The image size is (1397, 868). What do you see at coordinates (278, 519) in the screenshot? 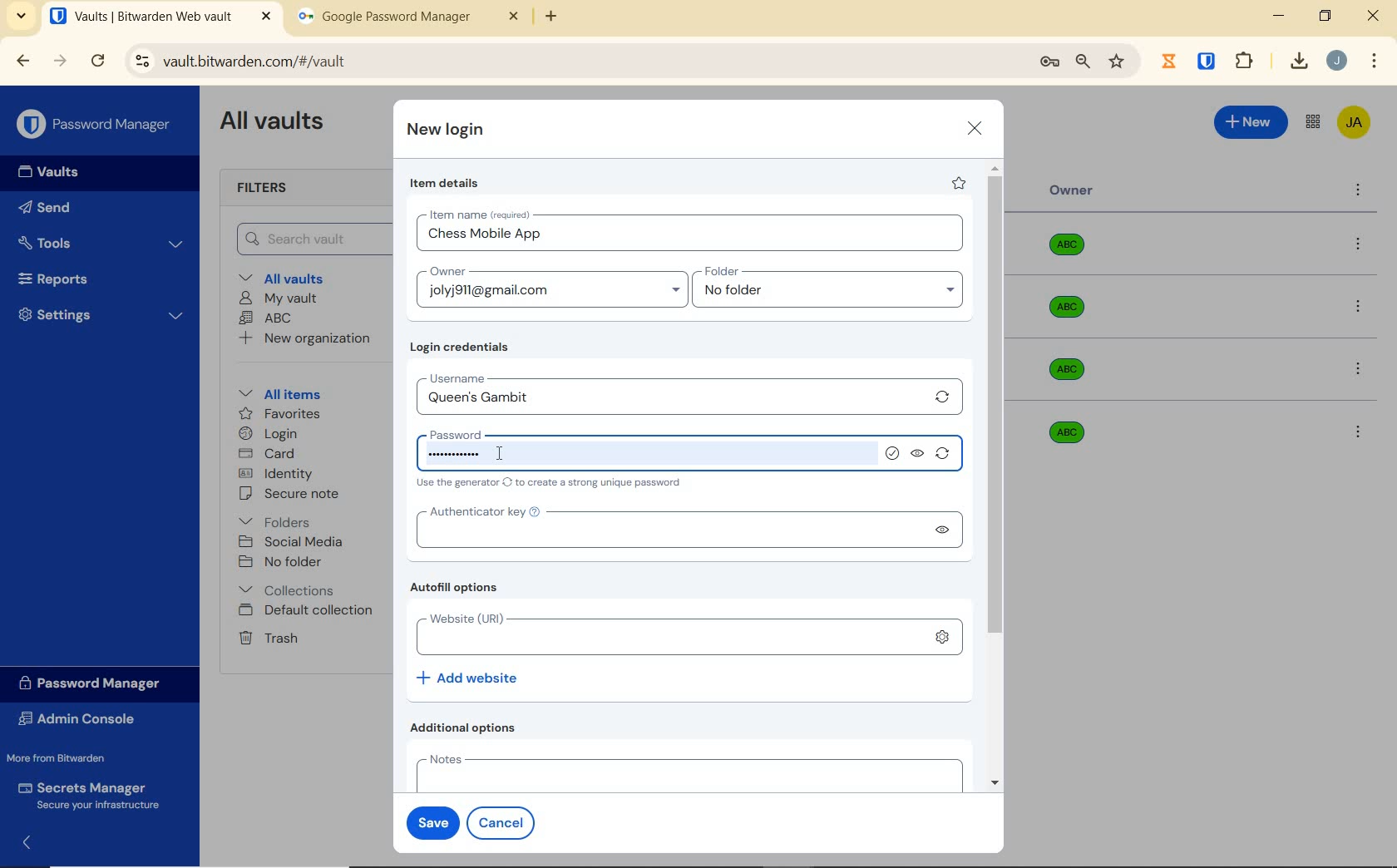
I see `Folders` at bounding box center [278, 519].